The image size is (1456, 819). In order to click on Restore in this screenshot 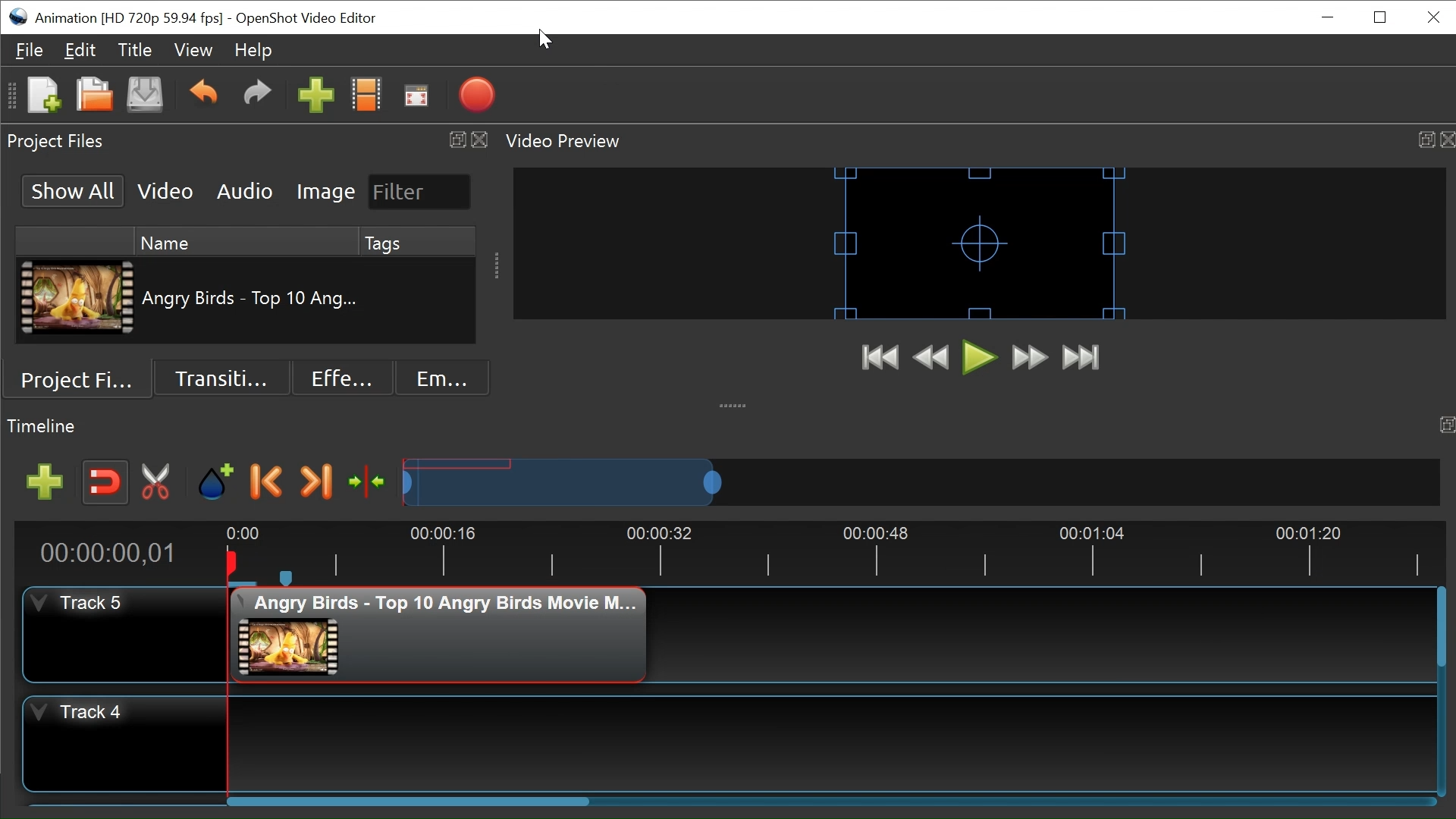, I will do `click(1379, 17)`.